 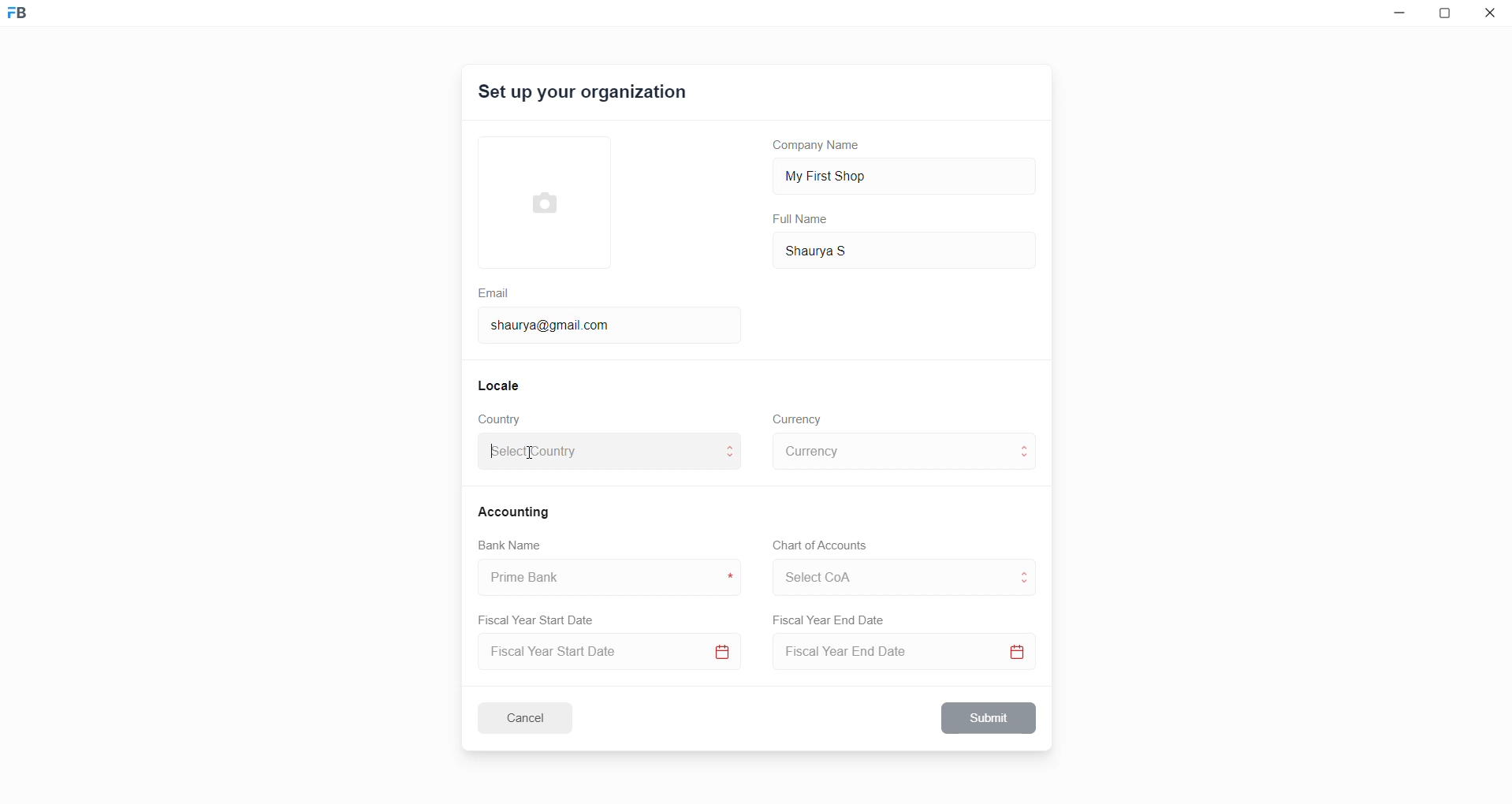 What do you see at coordinates (1491, 16) in the screenshot?
I see `close` at bounding box center [1491, 16].